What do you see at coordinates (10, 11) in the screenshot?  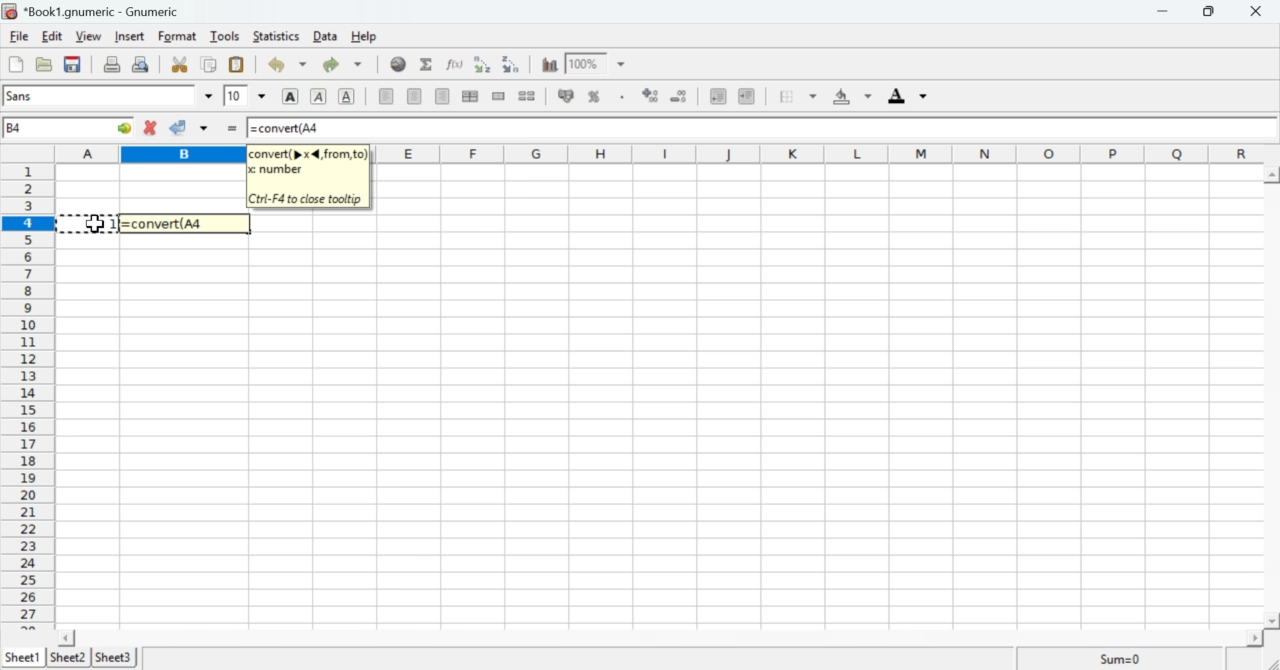 I see `icon` at bounding box center [10, 11].